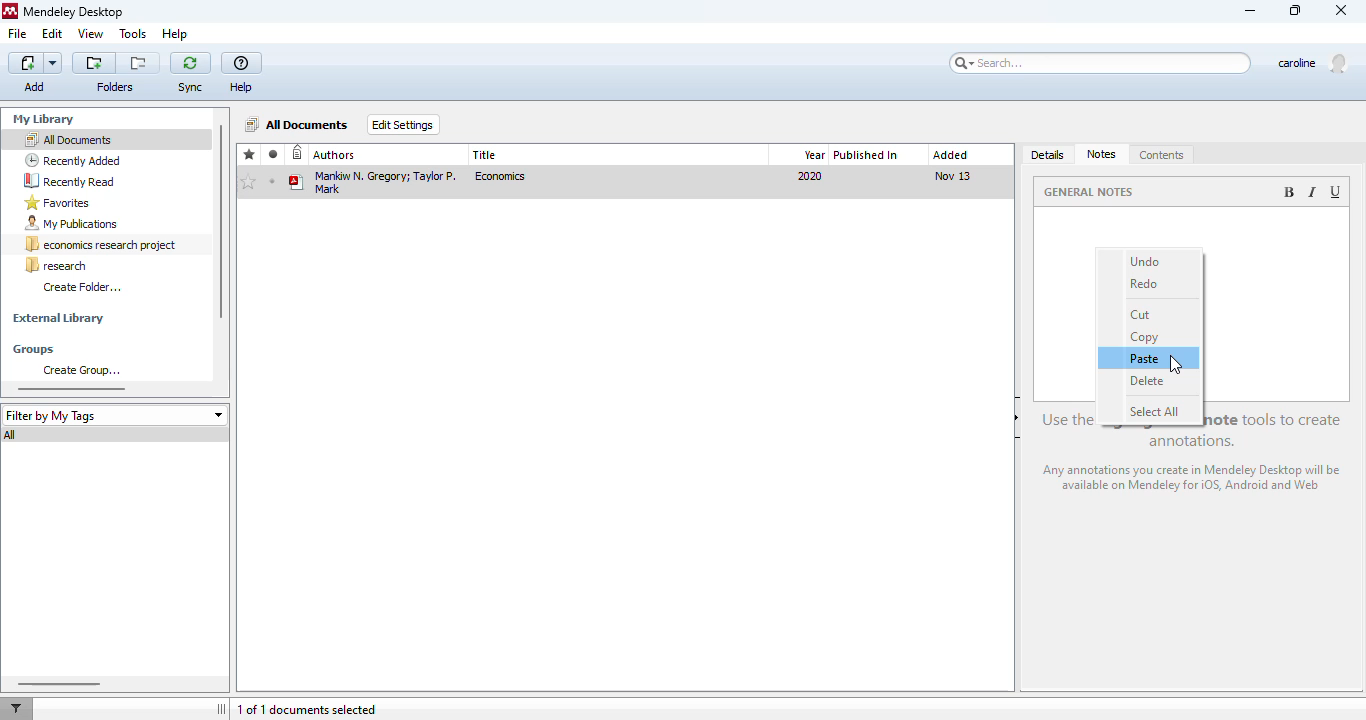 The height and width of the screenshot is (720, 1366). Describe the element at coordinates (17, 34) in the screenshot. I see `file` at that location.